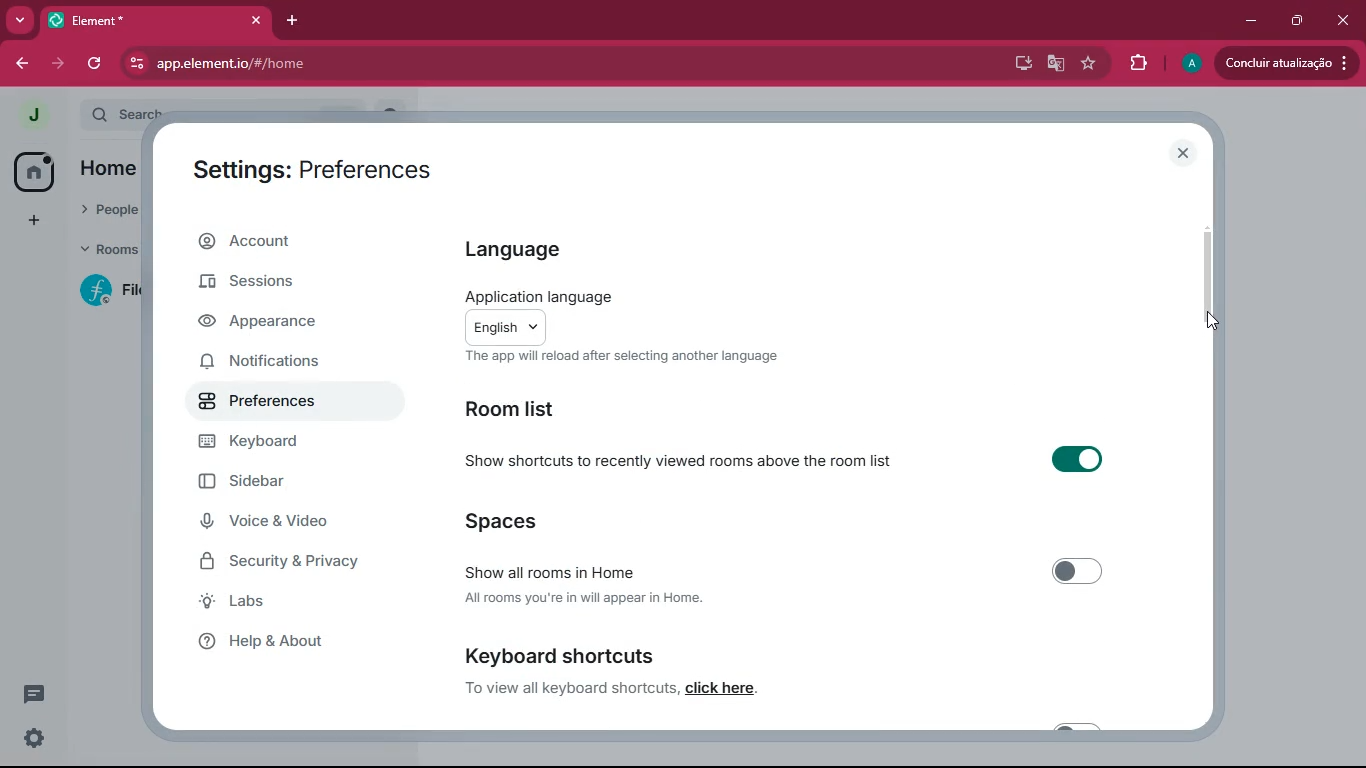 This screenshot has height=768, width=1366. What do you see at coordinates (1295, 20) in the screenshot?
I see `maximize` at bounding box center [1295, 20].